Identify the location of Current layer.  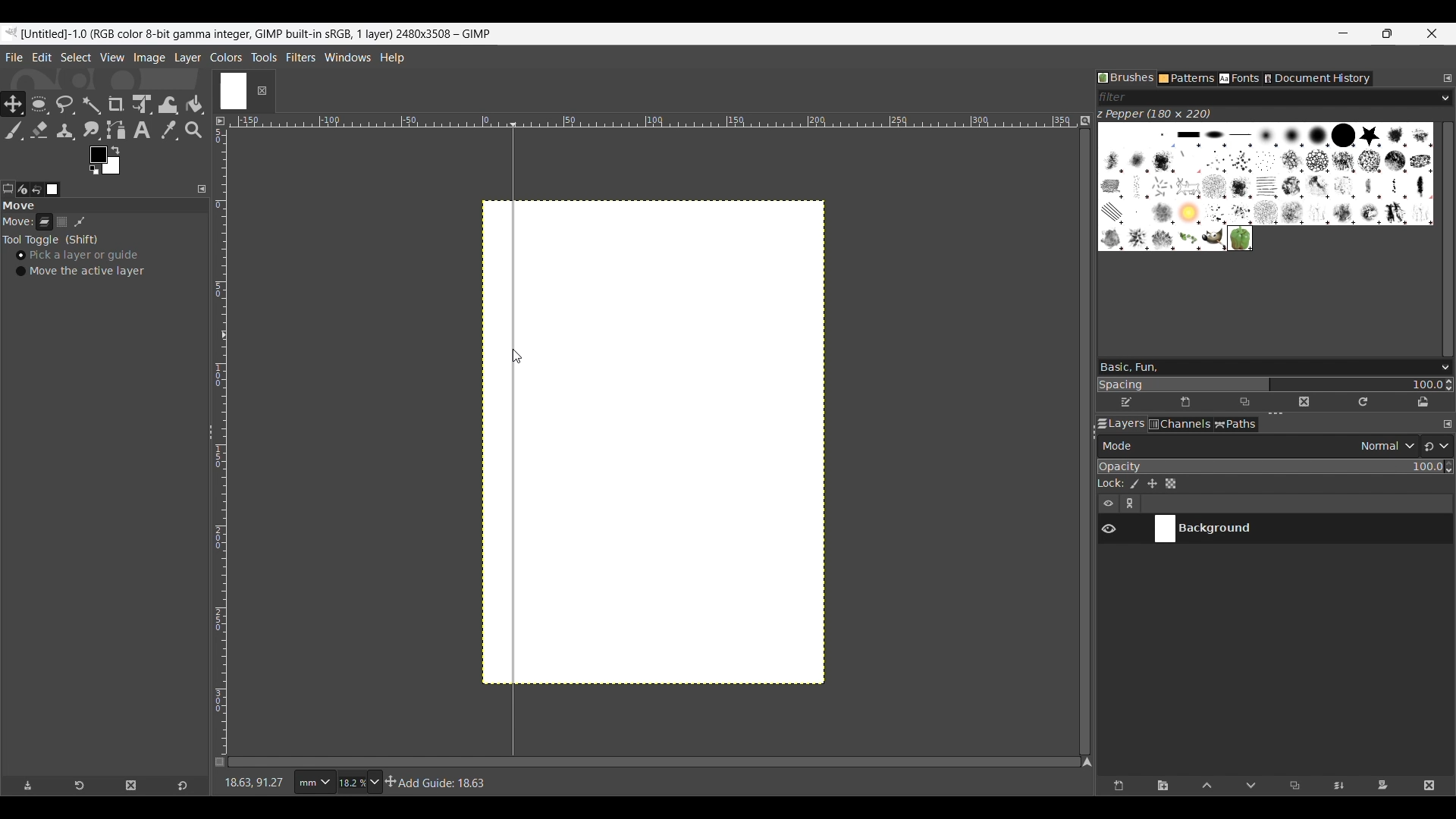
(1286, 529).